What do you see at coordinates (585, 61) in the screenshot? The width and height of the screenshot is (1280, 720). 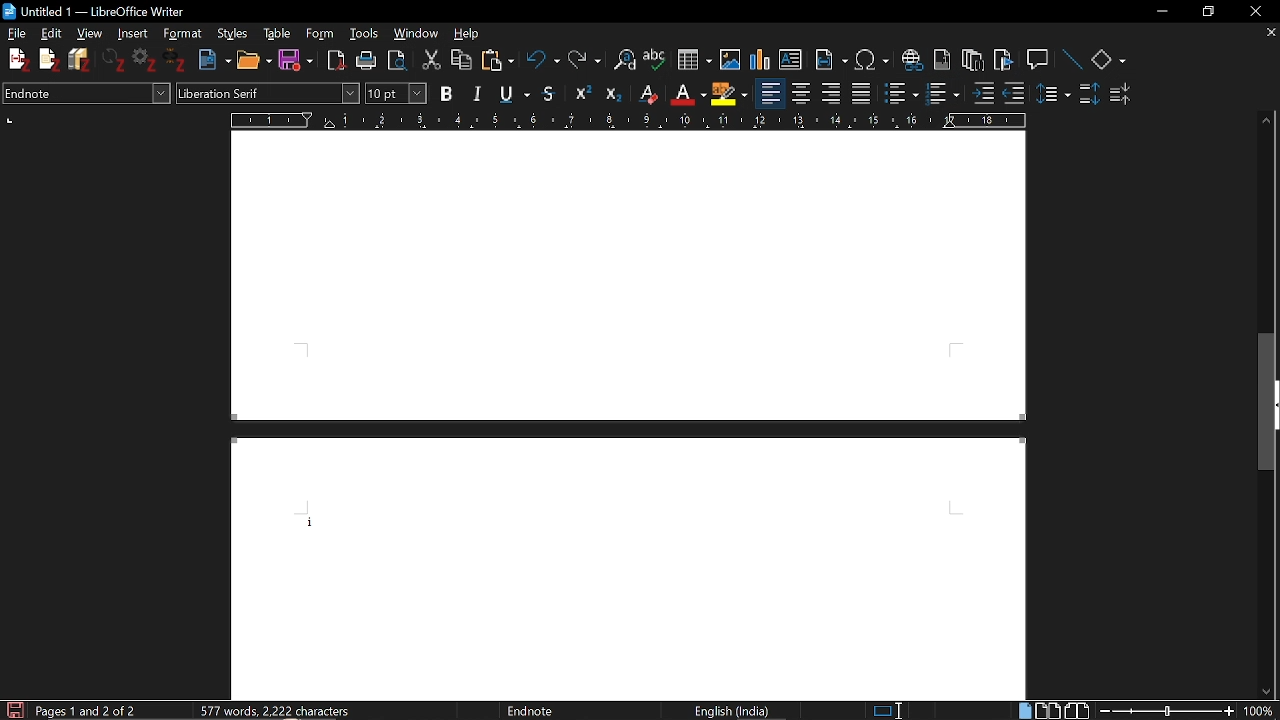 I see `REdo` at bounding box center [585, 61].